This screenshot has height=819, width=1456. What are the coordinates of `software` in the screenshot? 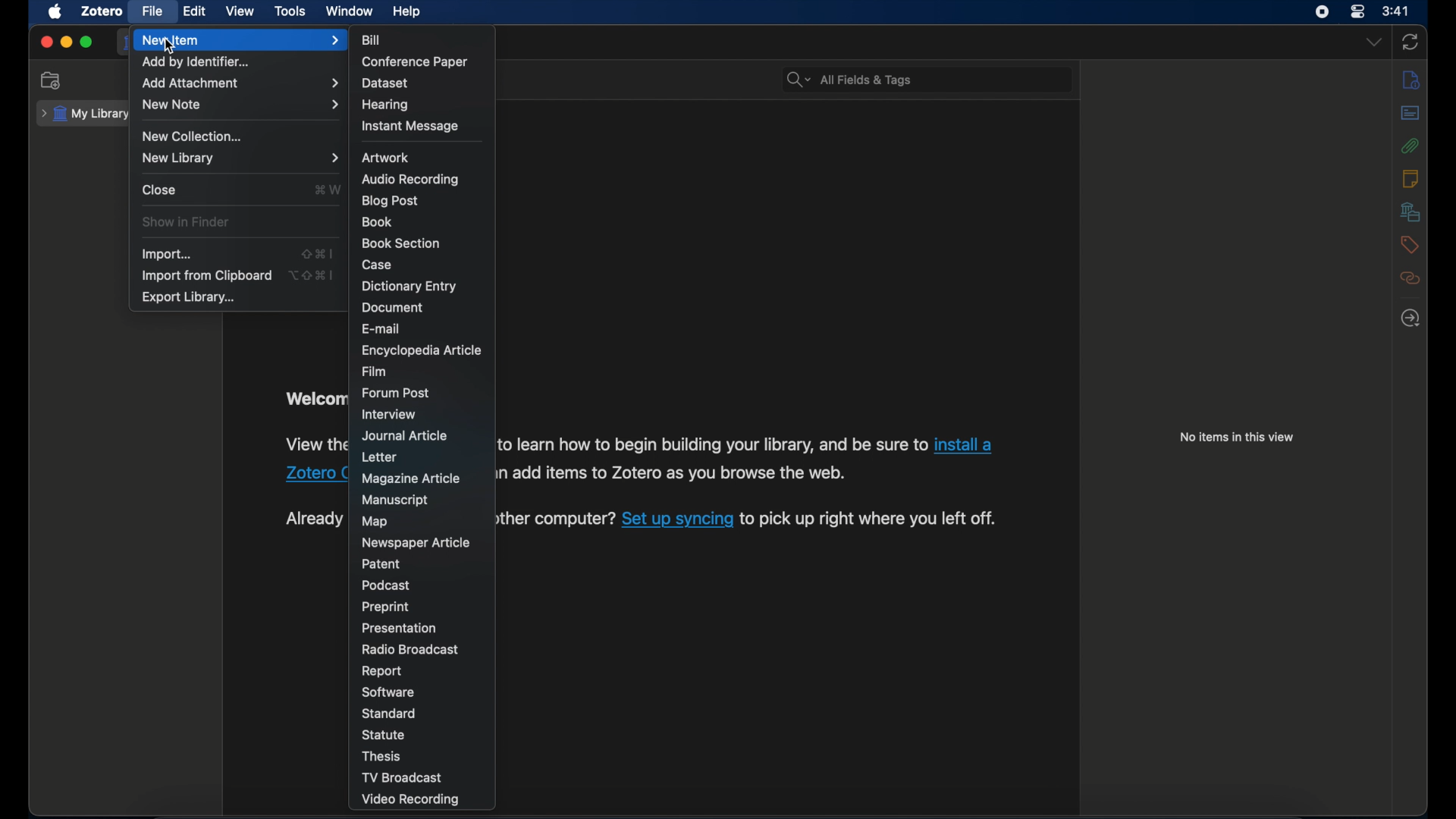 It's located at (390, 692).